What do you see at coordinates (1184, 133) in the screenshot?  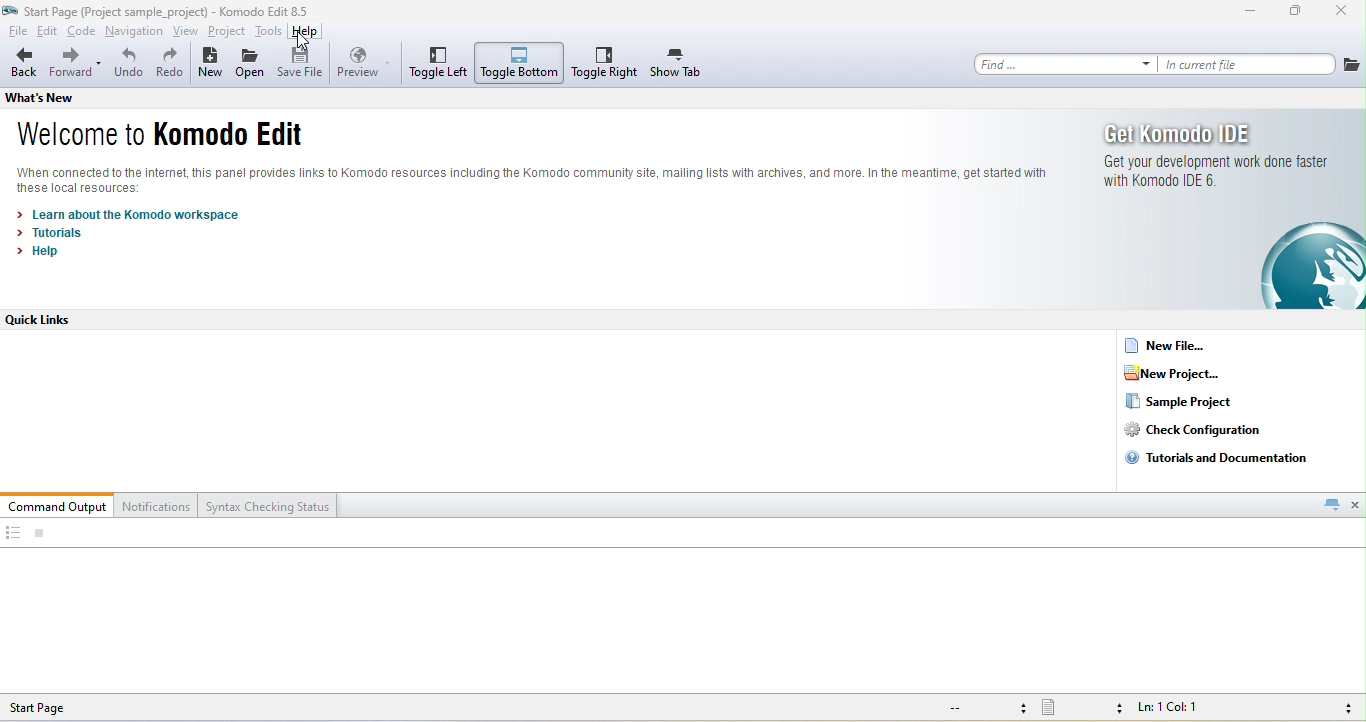 I see `get komodo ide` at bounding box center [1184, 133].